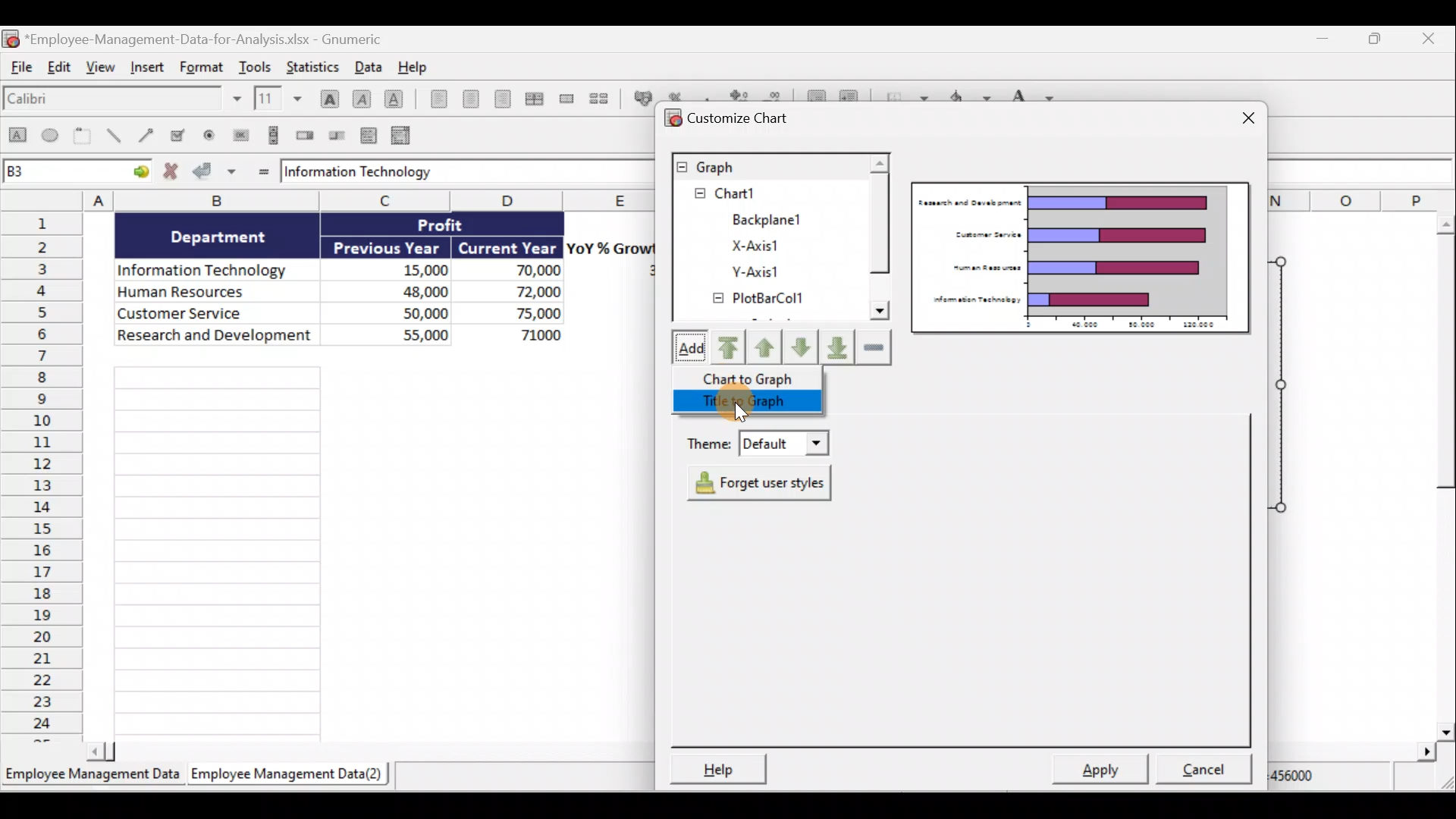  Describe the element at coordinates (880, 238) in the screenshot. I see `Scroll bar` at that location.